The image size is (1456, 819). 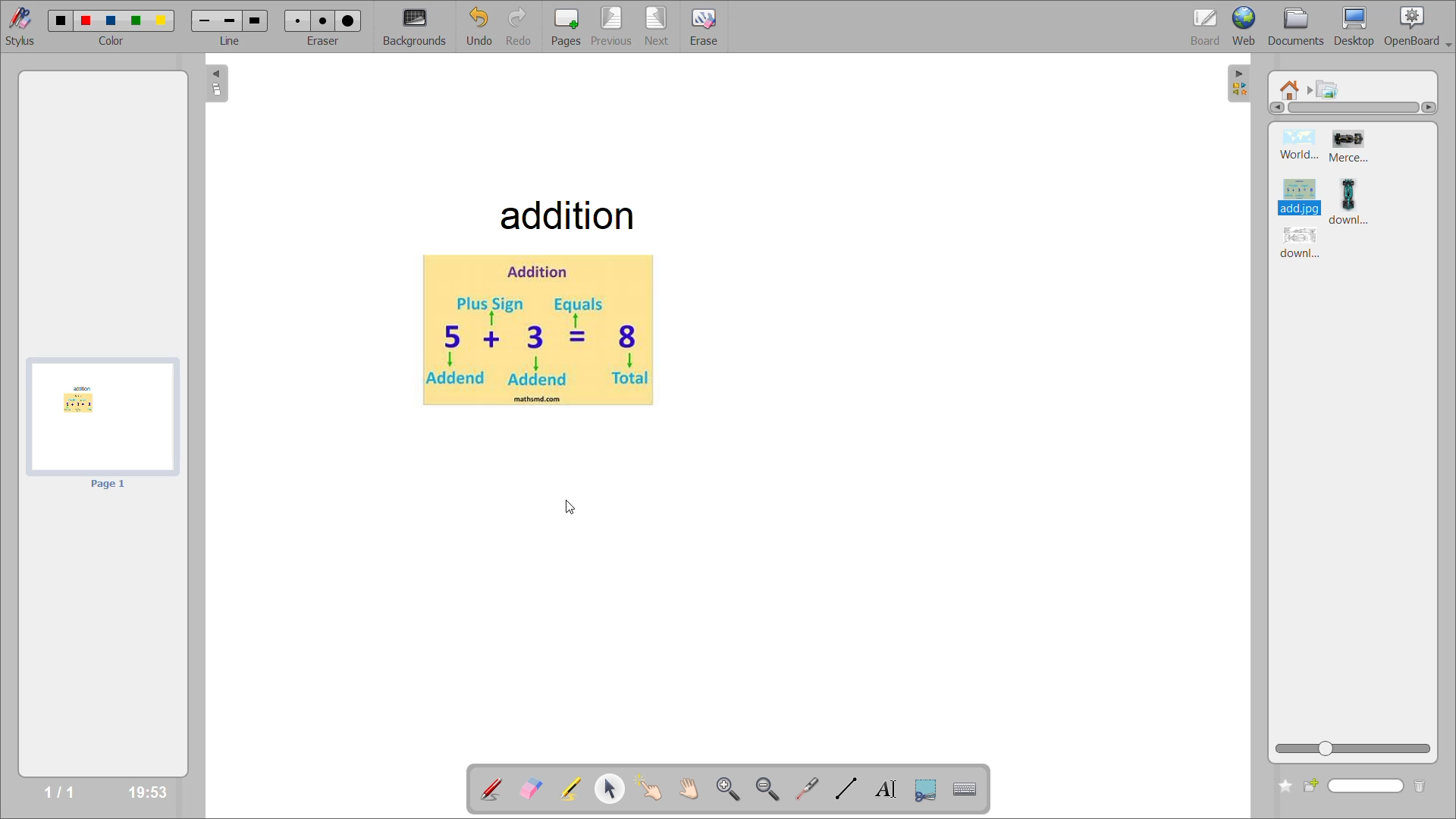 What do you see at coordinates (563, 214) in the screenshot?
I see `addition - title` at bounding box center [563, 214].